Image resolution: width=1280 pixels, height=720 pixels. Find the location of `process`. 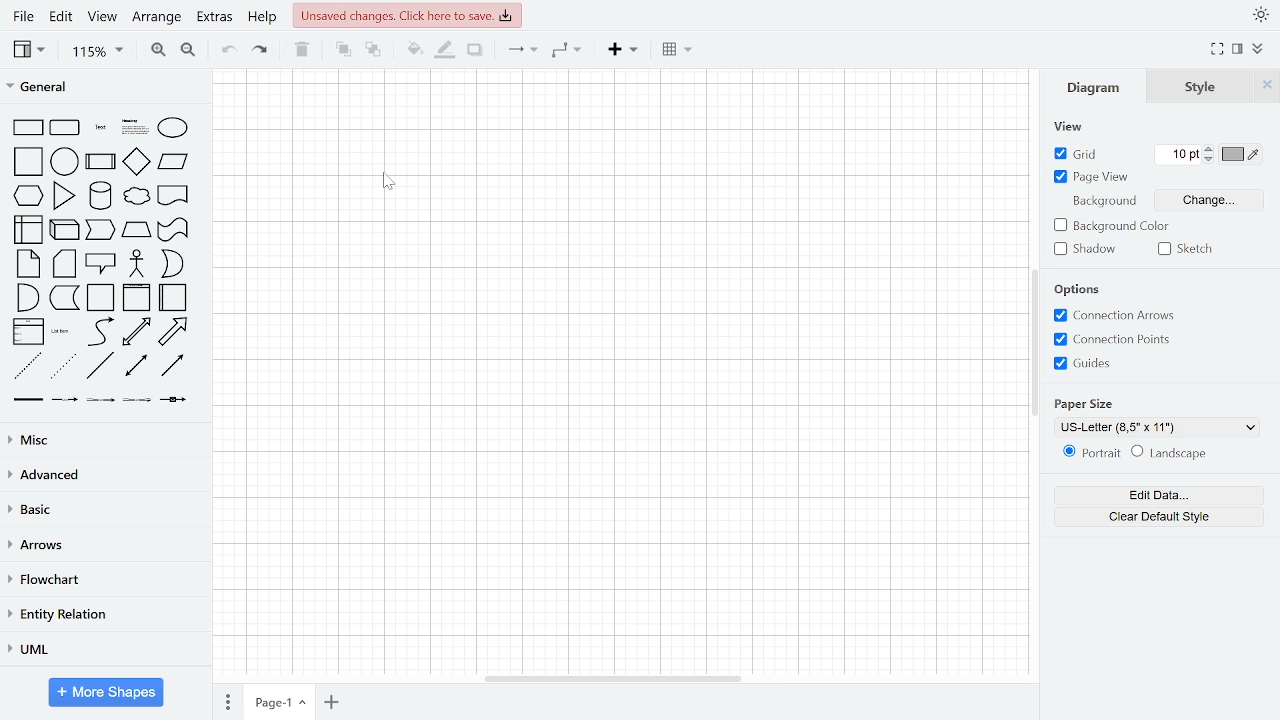

process is located at coordinates (103, 162).